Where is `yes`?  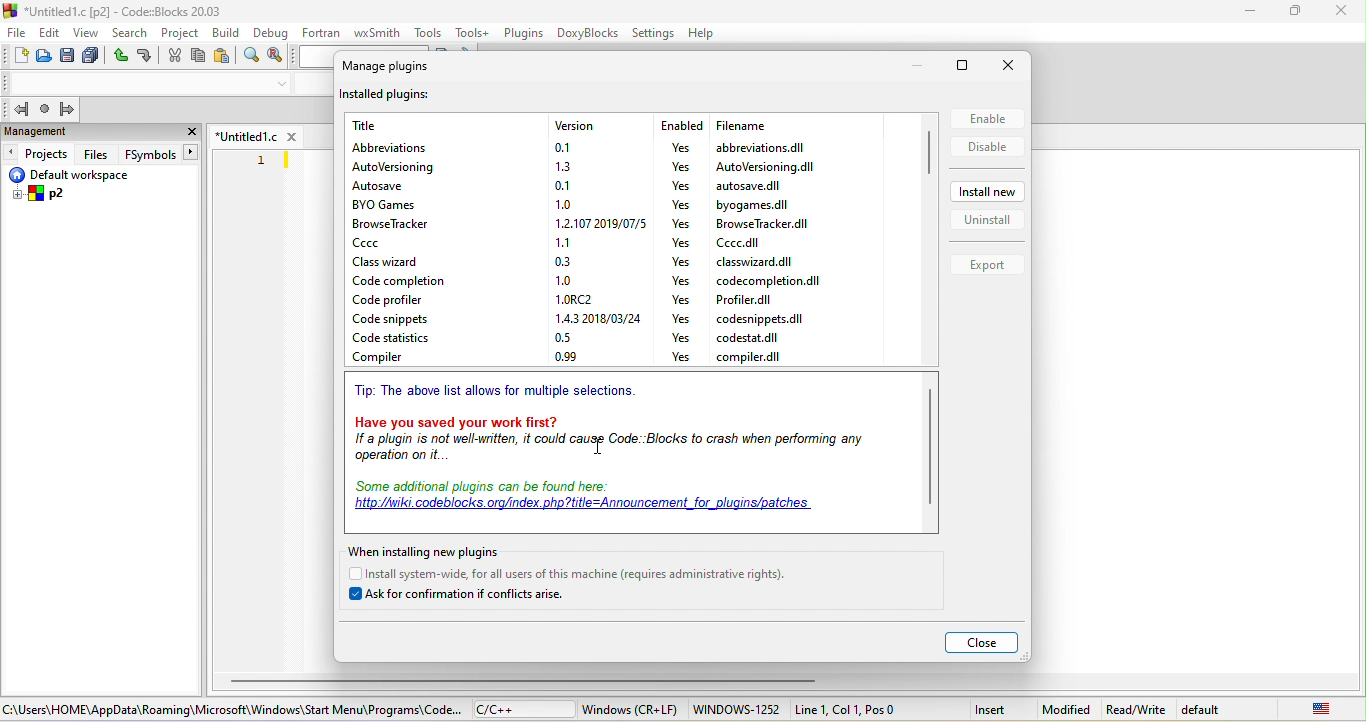
yes is located at coordinates (683, 357).